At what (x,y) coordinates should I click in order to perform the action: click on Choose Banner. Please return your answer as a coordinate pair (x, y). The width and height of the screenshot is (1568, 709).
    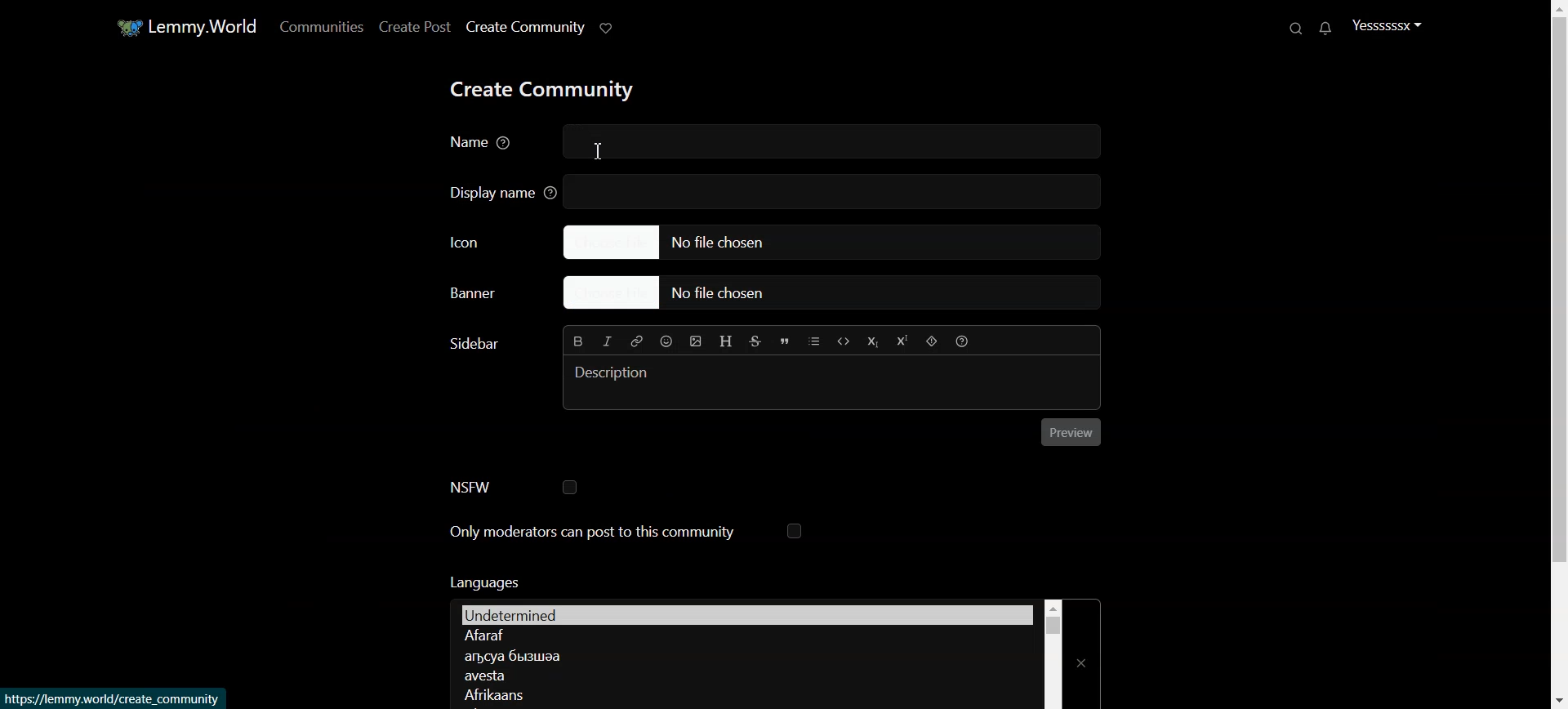
    Looking at the image, I should click on (488, 297).